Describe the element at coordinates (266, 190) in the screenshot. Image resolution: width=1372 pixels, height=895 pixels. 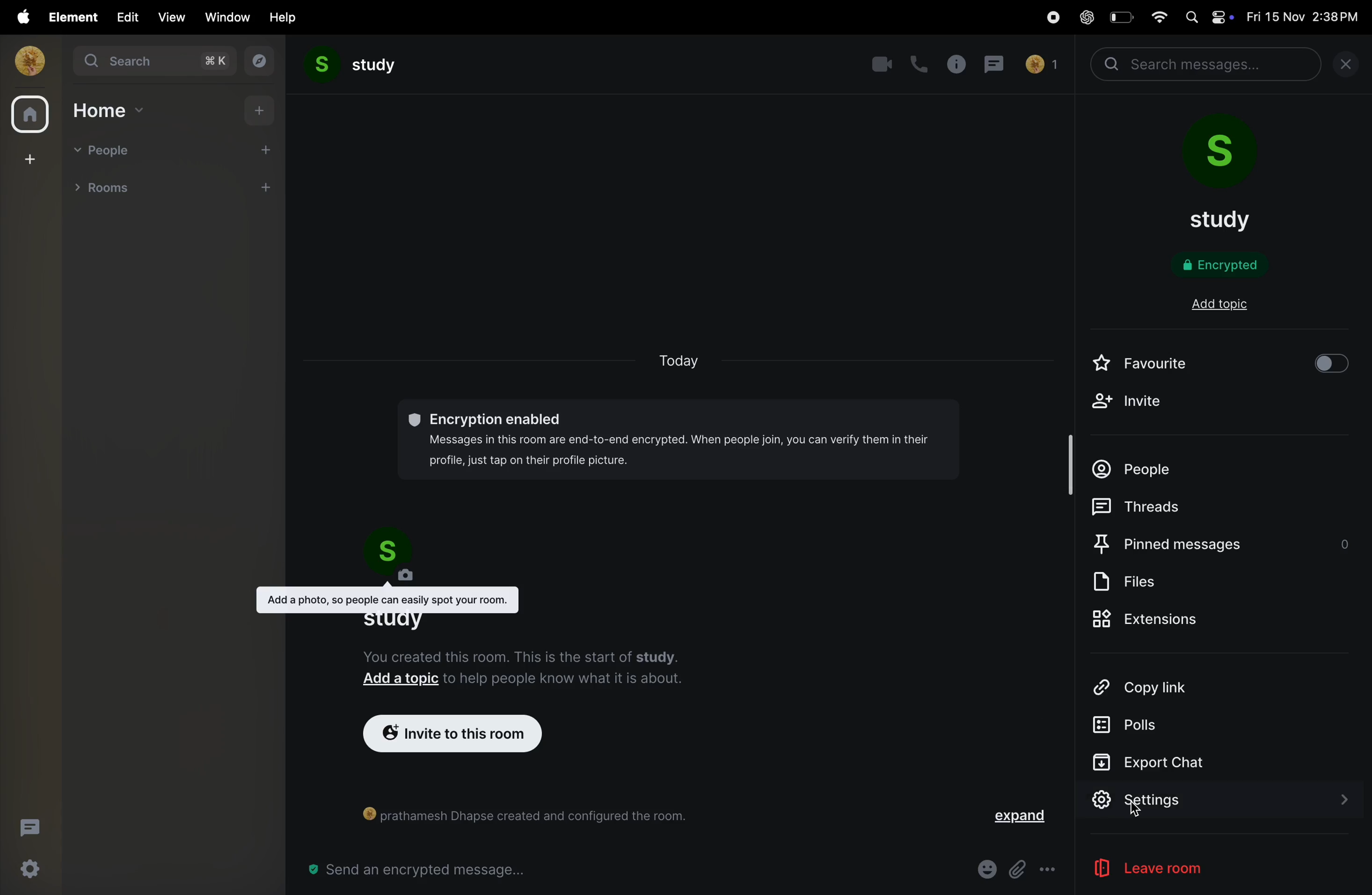
I see `add room` at that location.